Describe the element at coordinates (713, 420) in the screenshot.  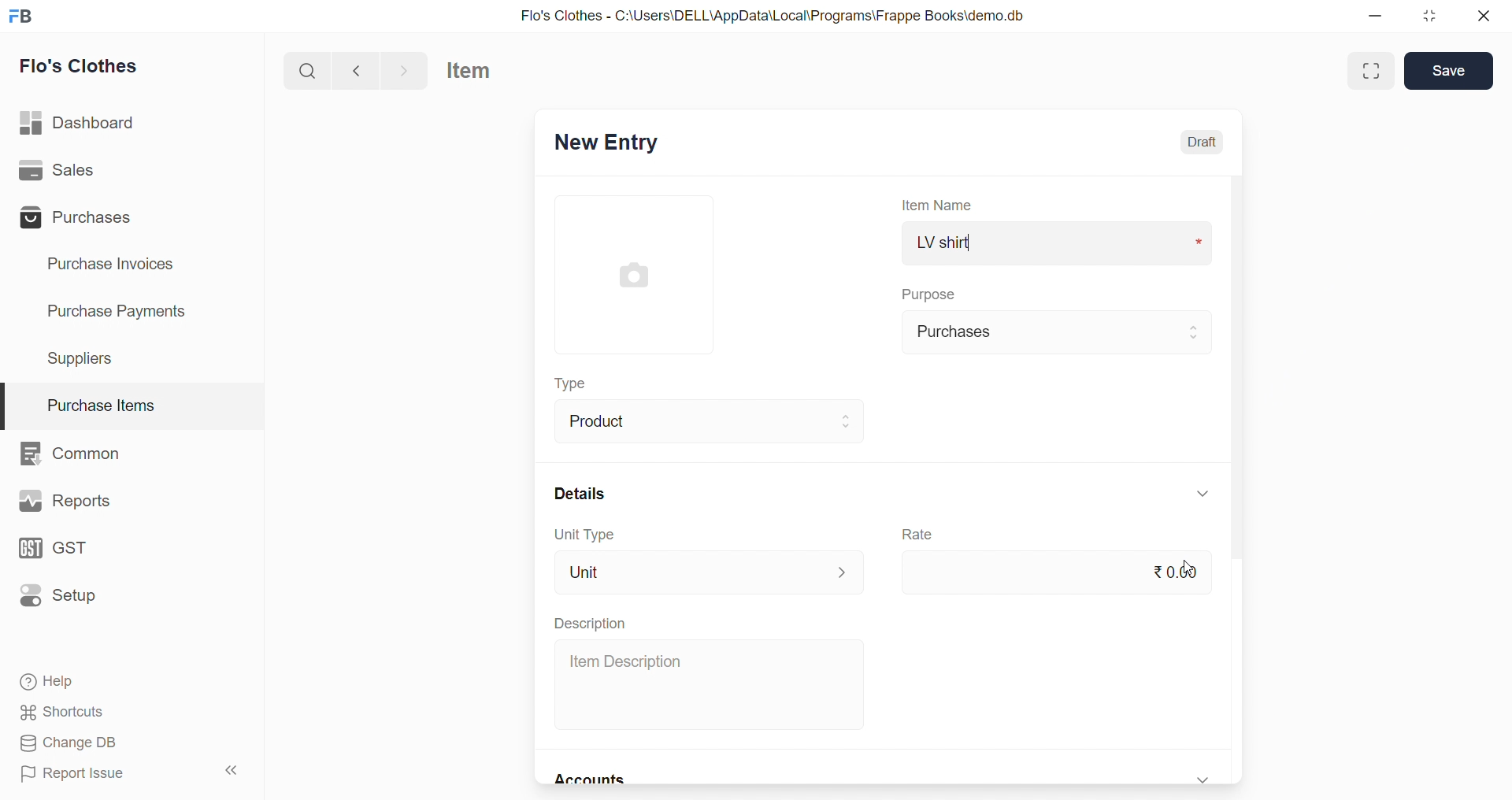
I see `Product` at that location.